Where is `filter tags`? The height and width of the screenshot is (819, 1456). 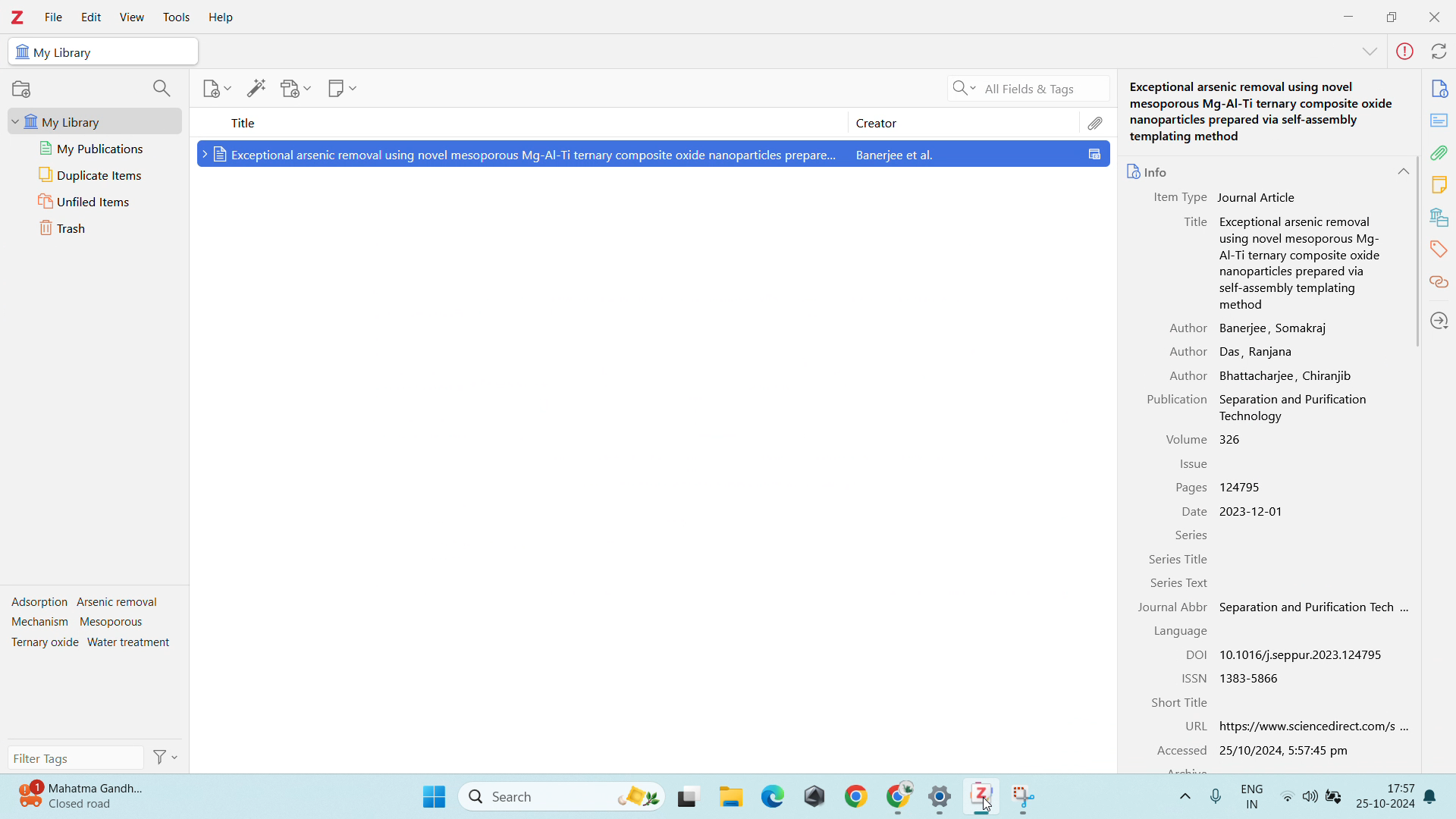 filter tags is located at coordinates (75, 757).